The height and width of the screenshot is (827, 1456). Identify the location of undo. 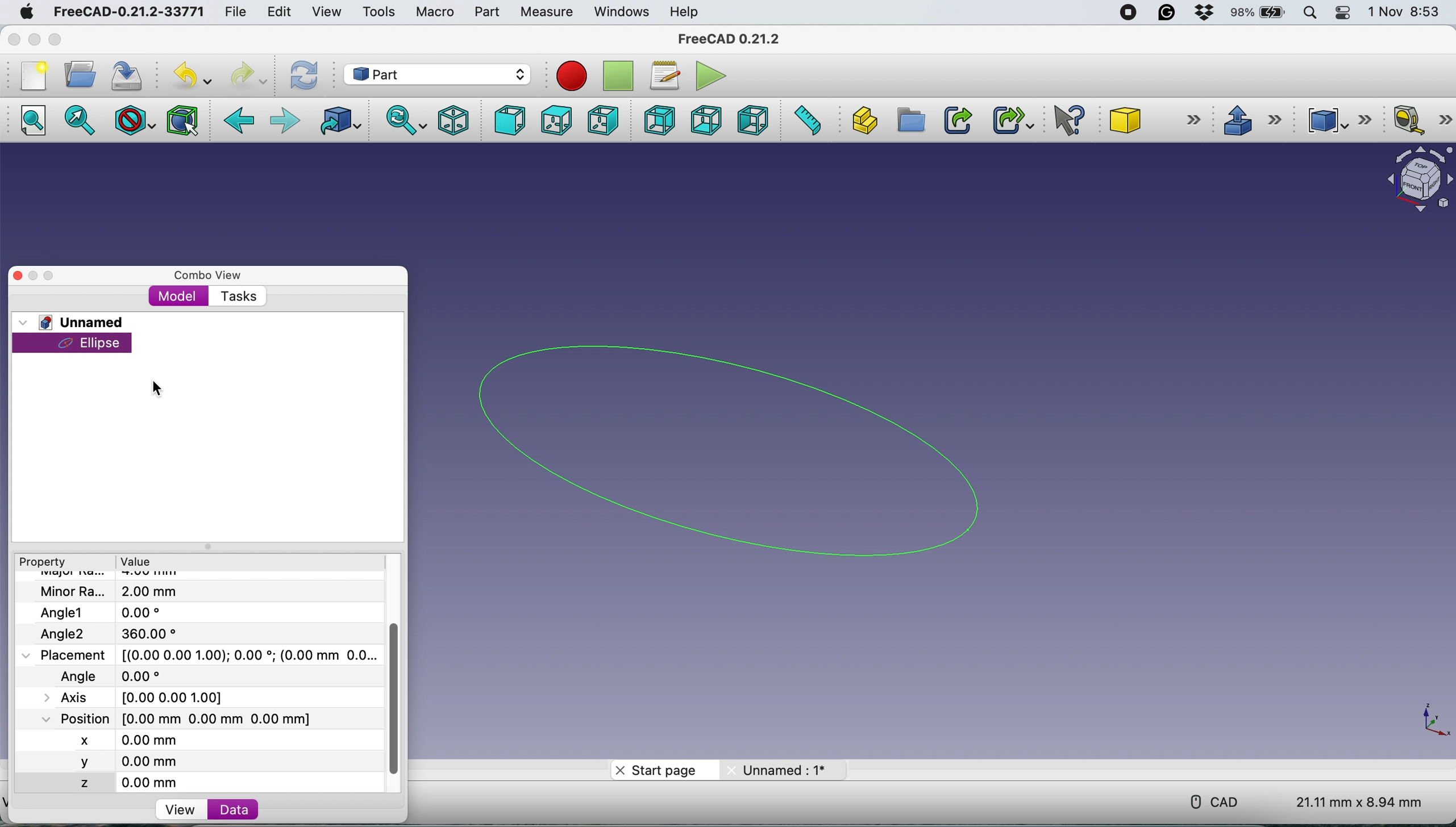
(192, 73).